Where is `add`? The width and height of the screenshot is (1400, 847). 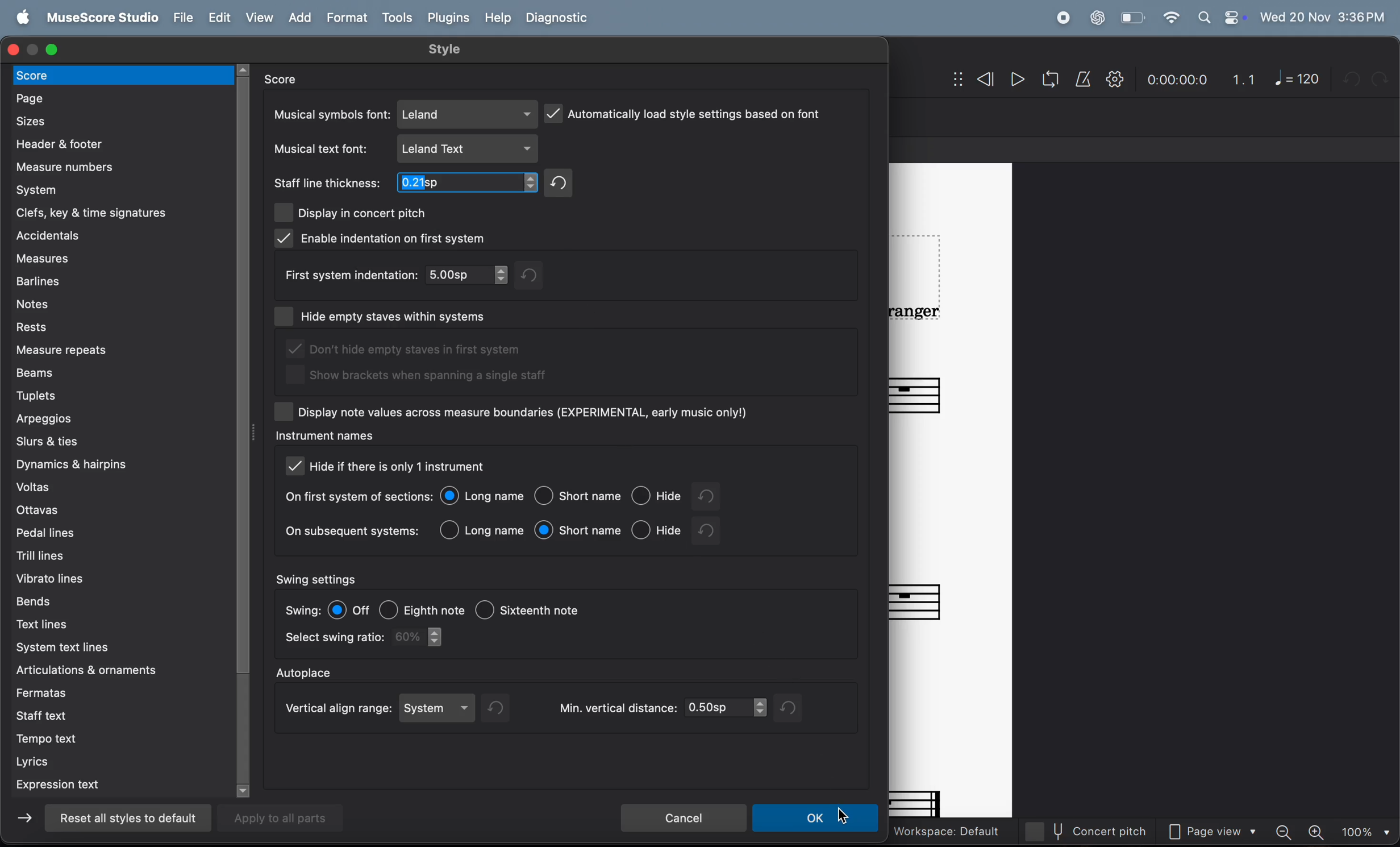 add is located at coordinates (304, 18).